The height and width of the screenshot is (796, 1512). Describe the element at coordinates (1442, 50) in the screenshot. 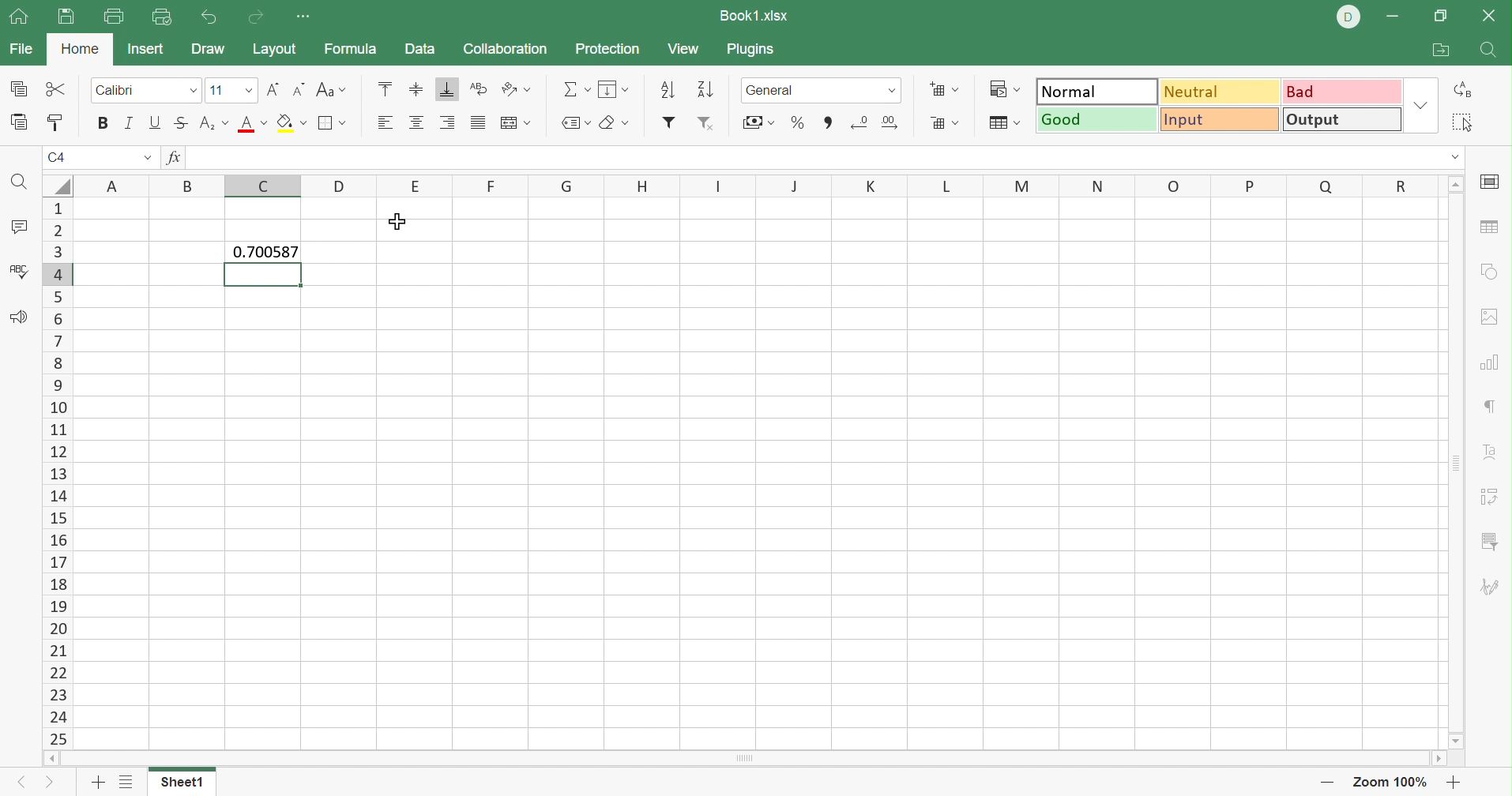

I see `Open file location` at that location.